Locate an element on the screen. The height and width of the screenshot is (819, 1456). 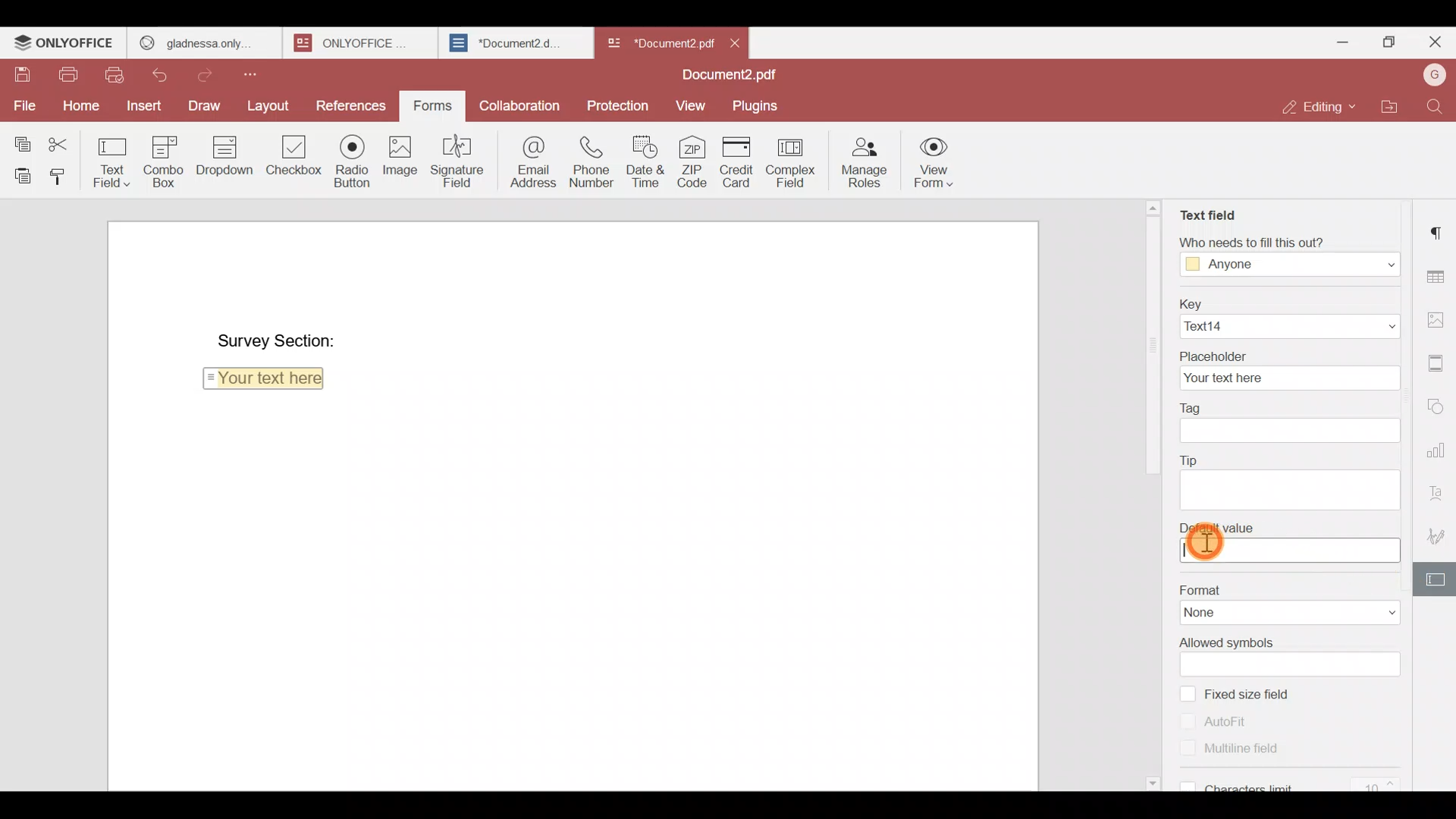
Placeholder is located at coordinates (1288, 352).